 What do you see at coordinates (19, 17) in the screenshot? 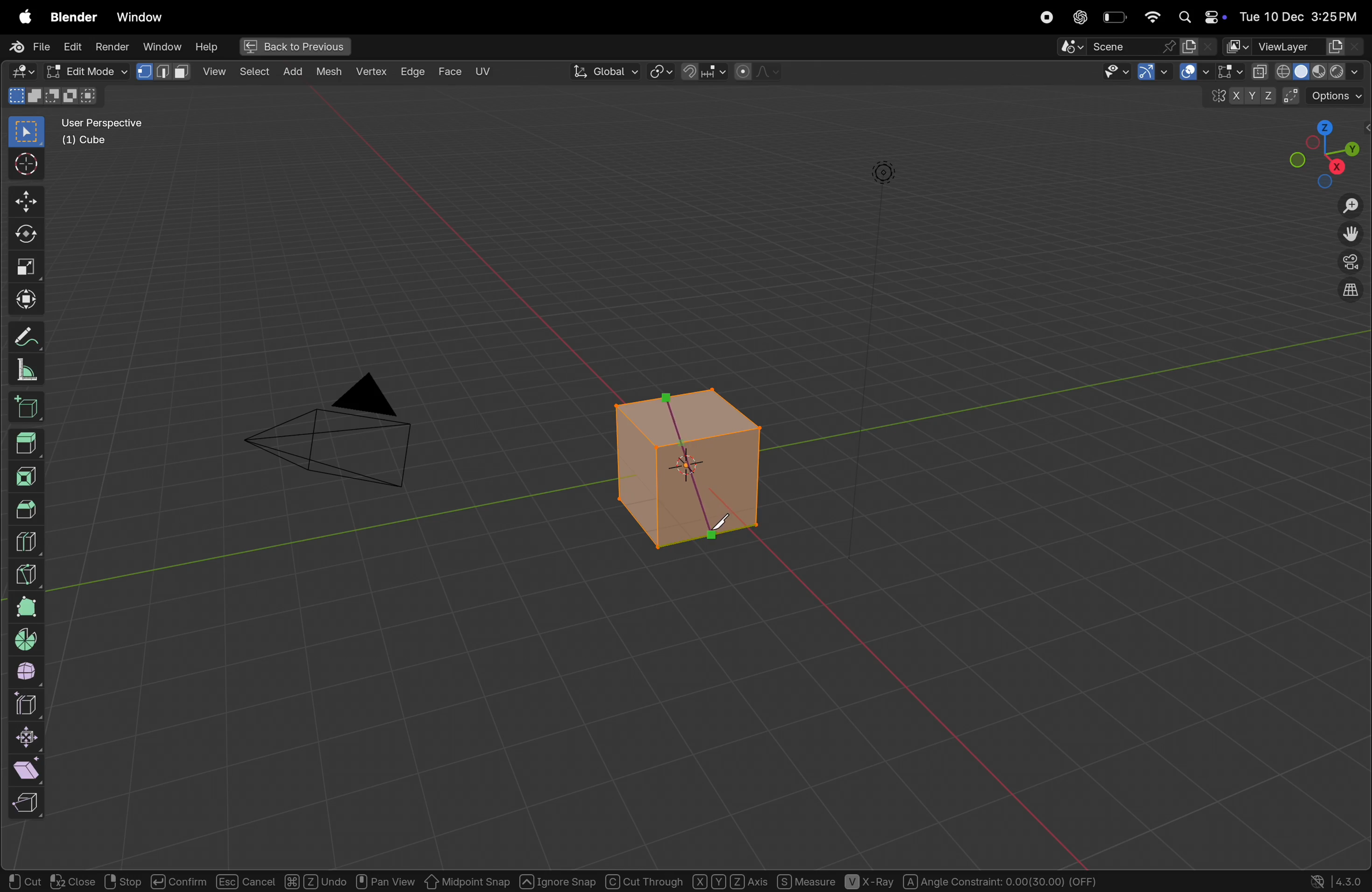
I see `Apple menu` at bounding box center [19, 17].